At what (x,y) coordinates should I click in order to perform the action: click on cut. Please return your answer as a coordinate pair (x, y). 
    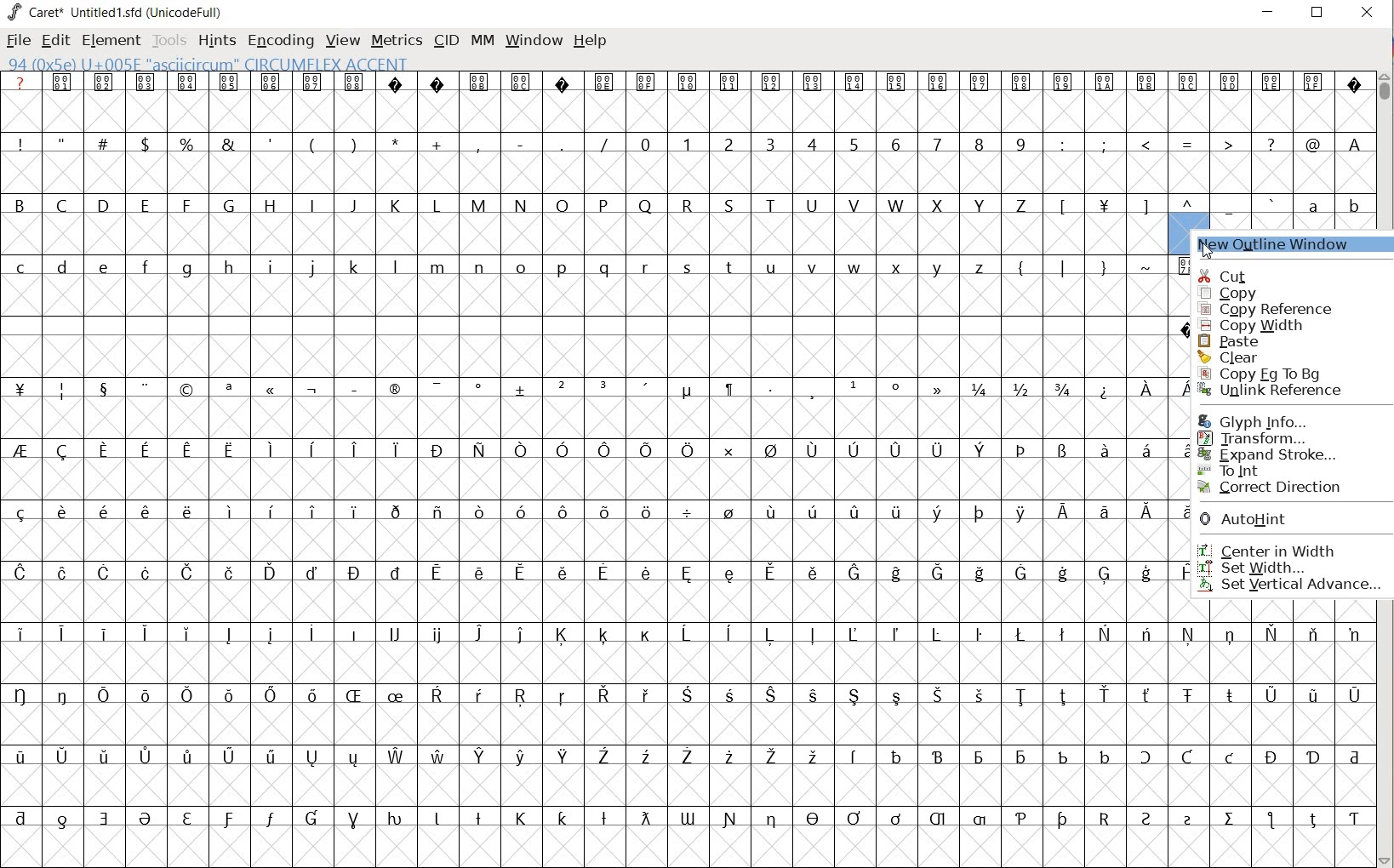
    Looking at the image, I should click on (1260, 277).